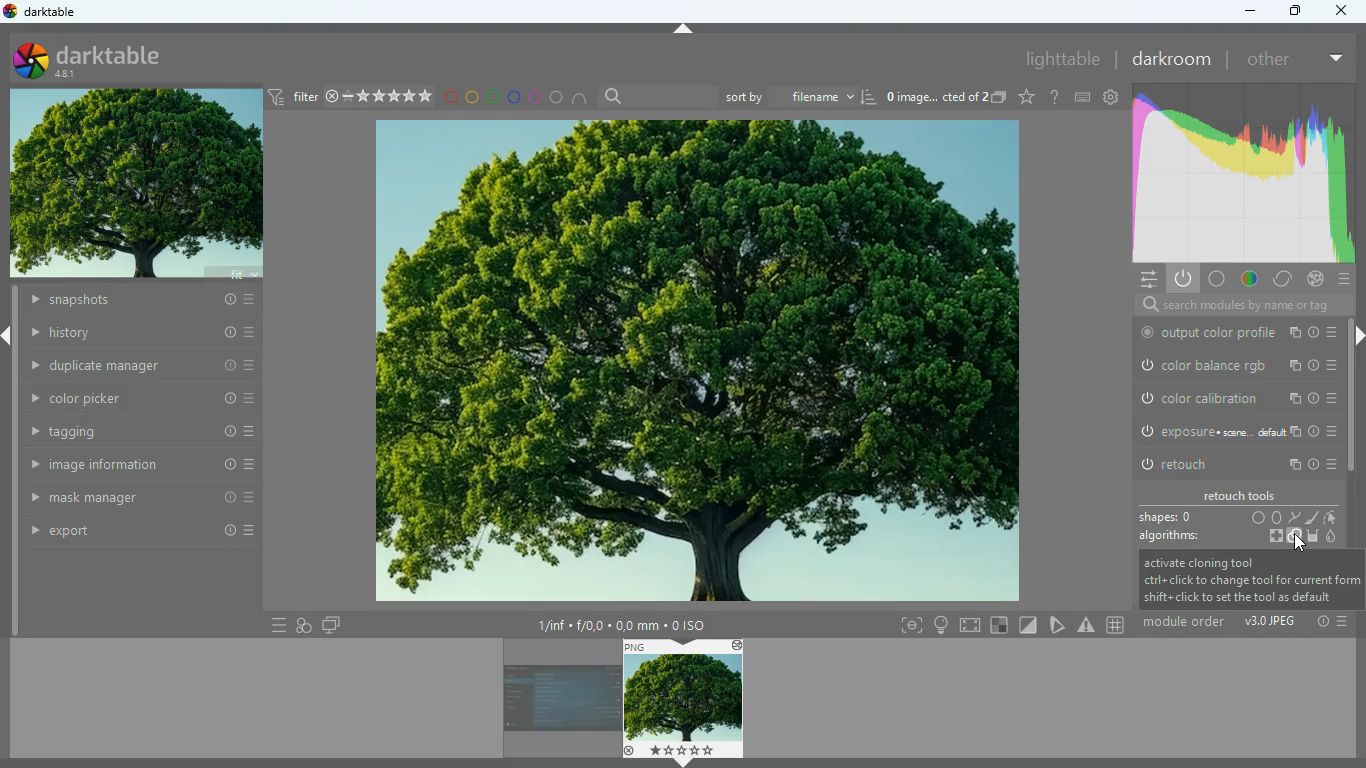 The image size is (1366, 768). Describe the element at coordinates (146, 302) in the screenshot. I see `snapshots` at that location.